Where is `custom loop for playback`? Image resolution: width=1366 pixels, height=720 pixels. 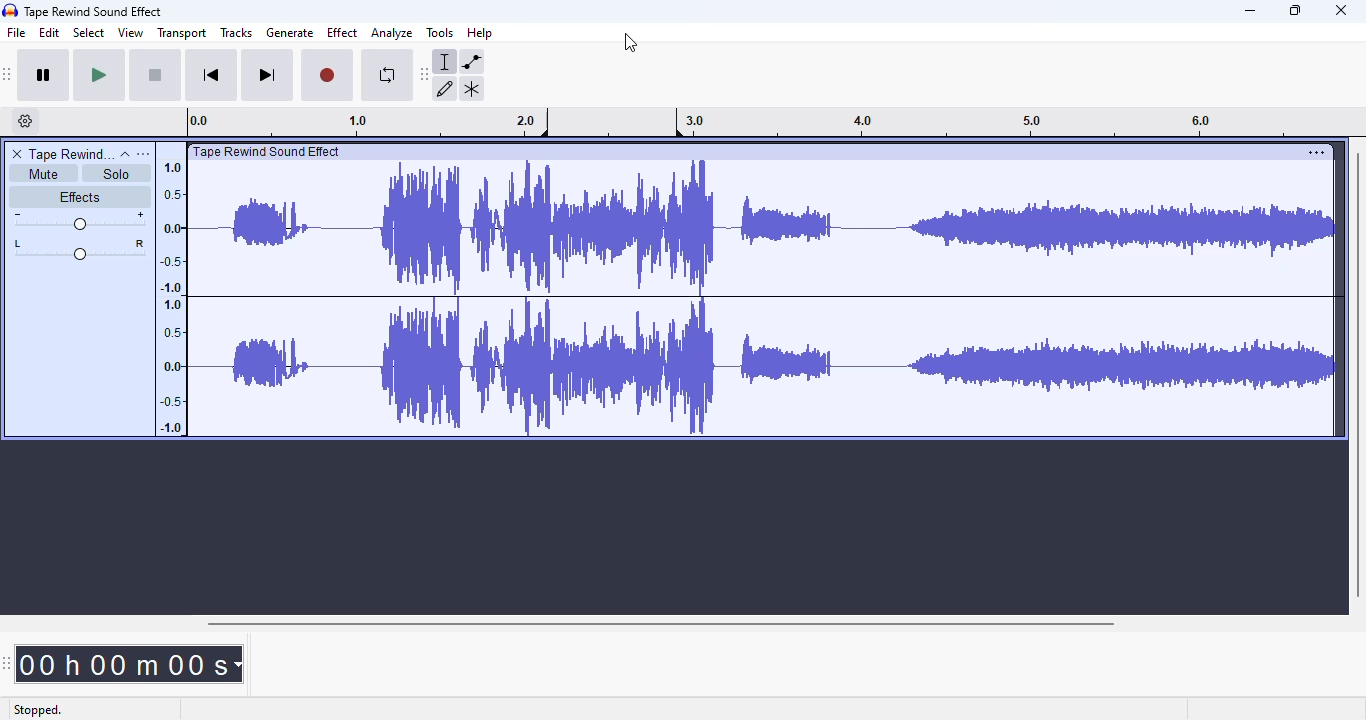
custom loop for playback is located at coordinates (613, 121).